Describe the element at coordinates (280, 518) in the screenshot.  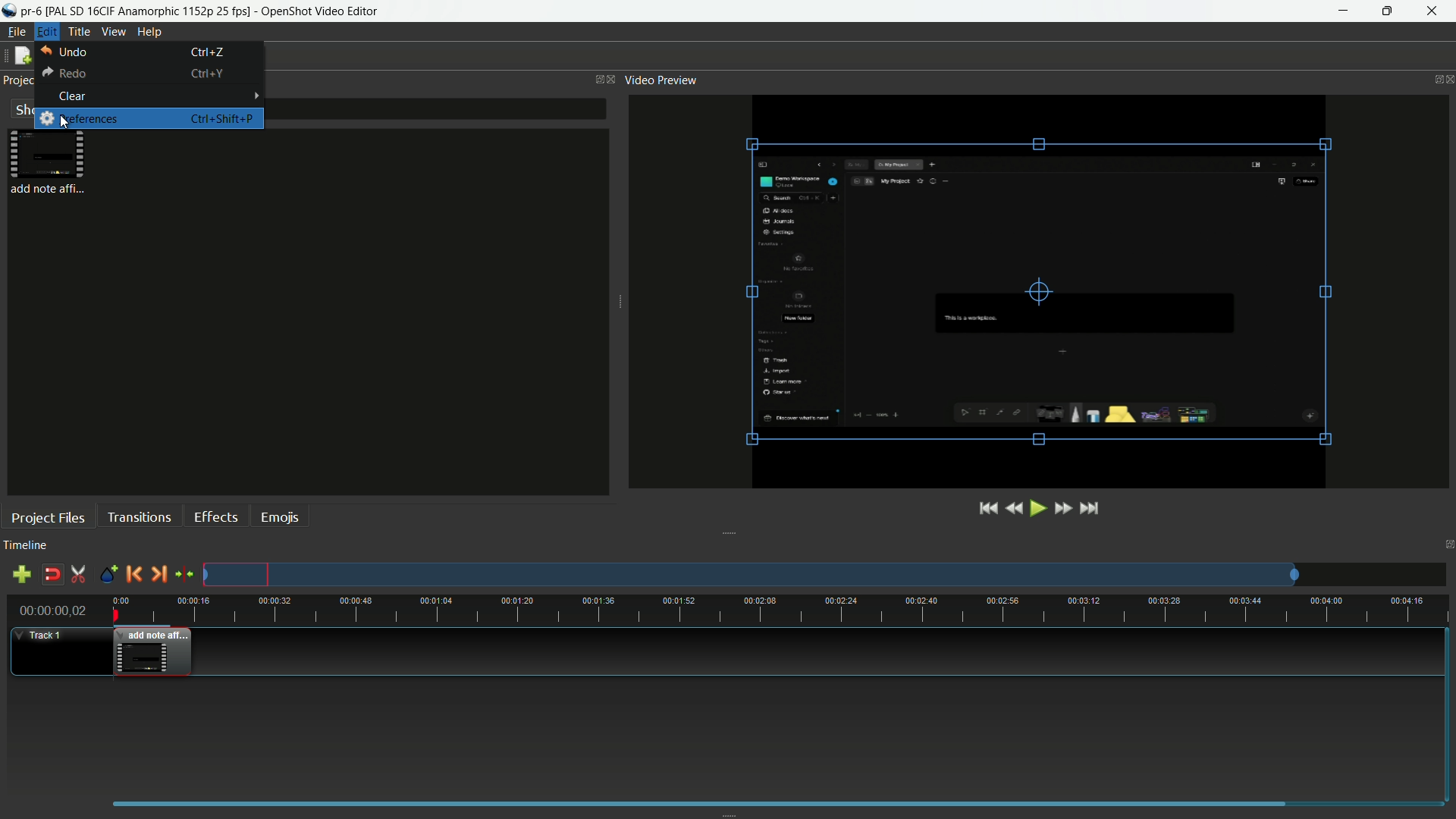
I see `emojis` at that location.